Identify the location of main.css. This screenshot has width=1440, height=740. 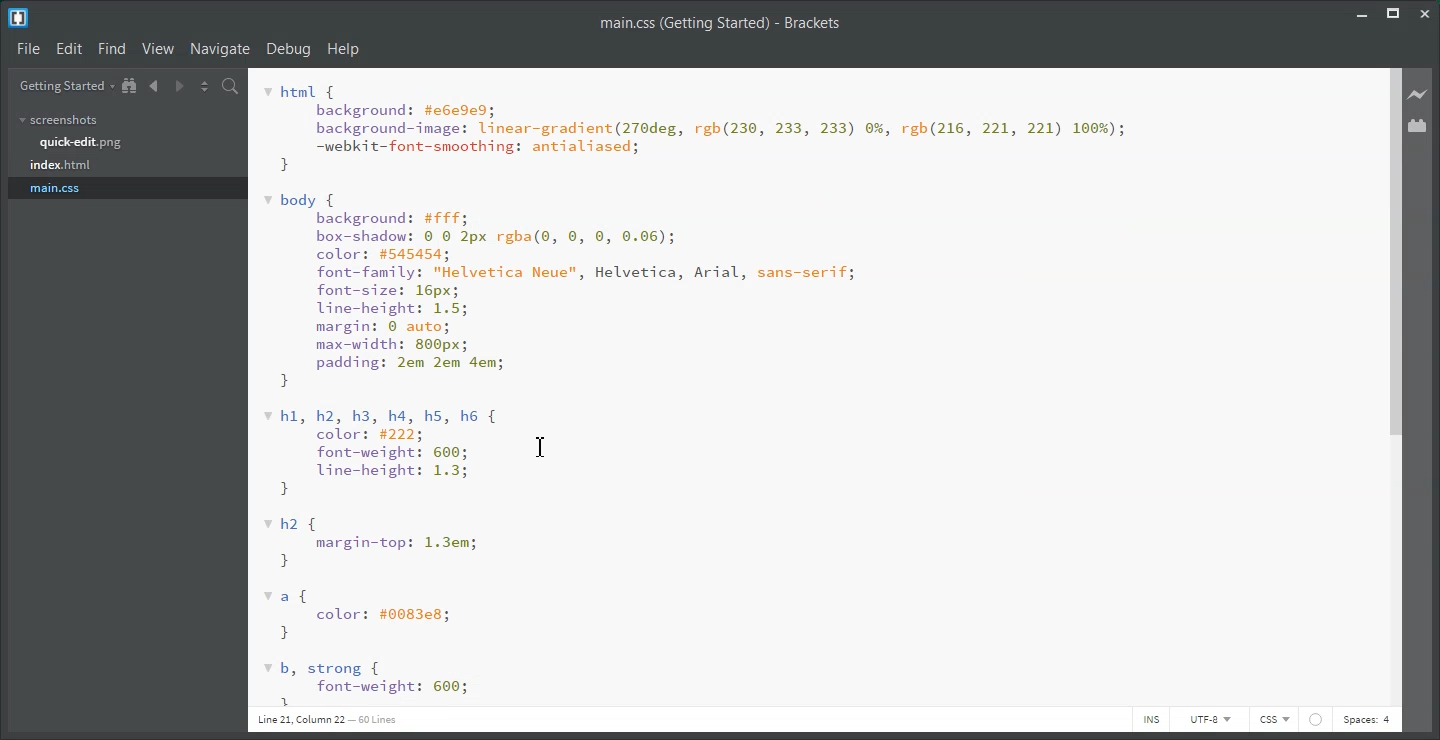
(56, 188).